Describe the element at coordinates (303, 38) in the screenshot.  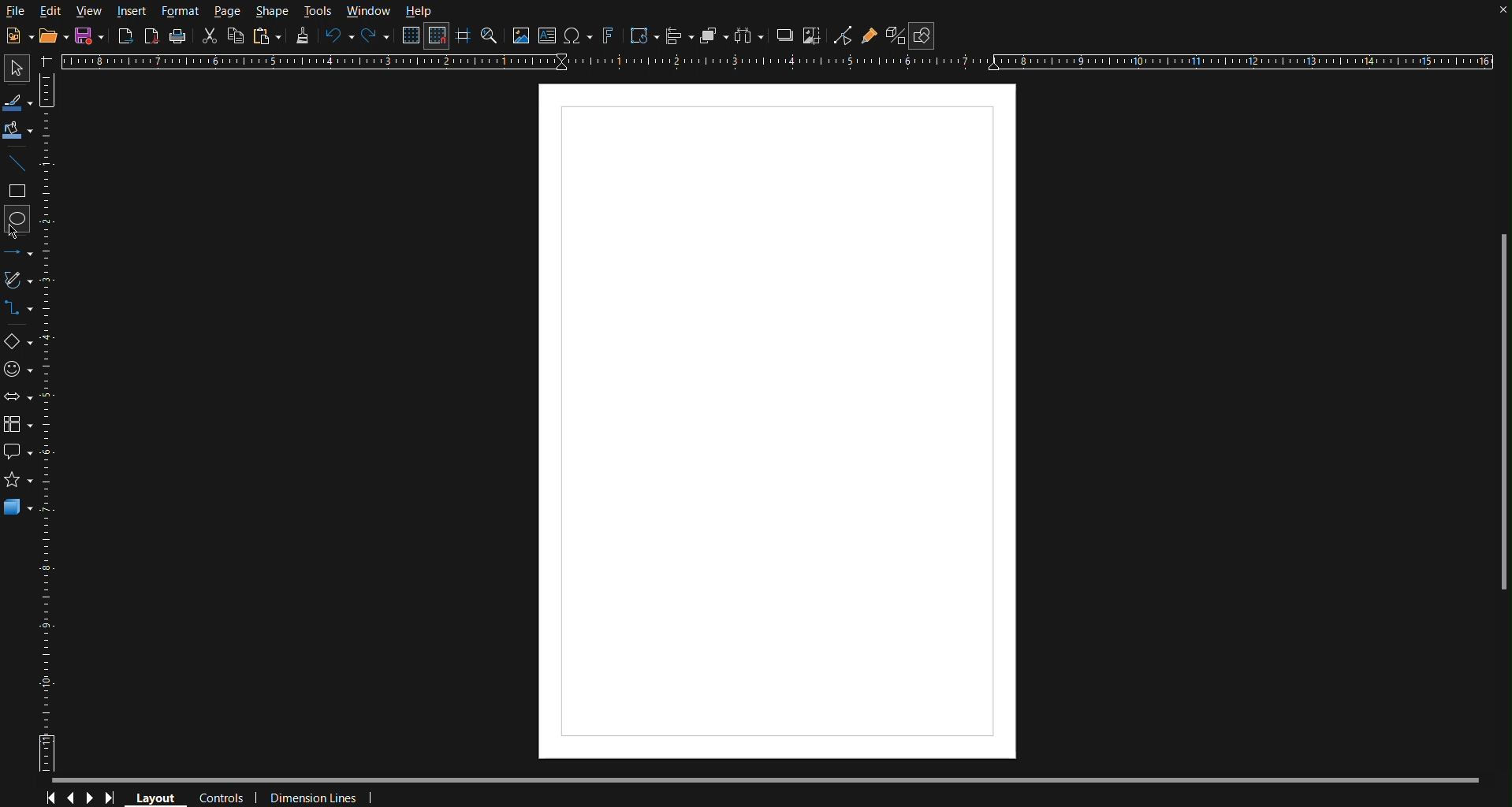
I see `Formatting` at that location.